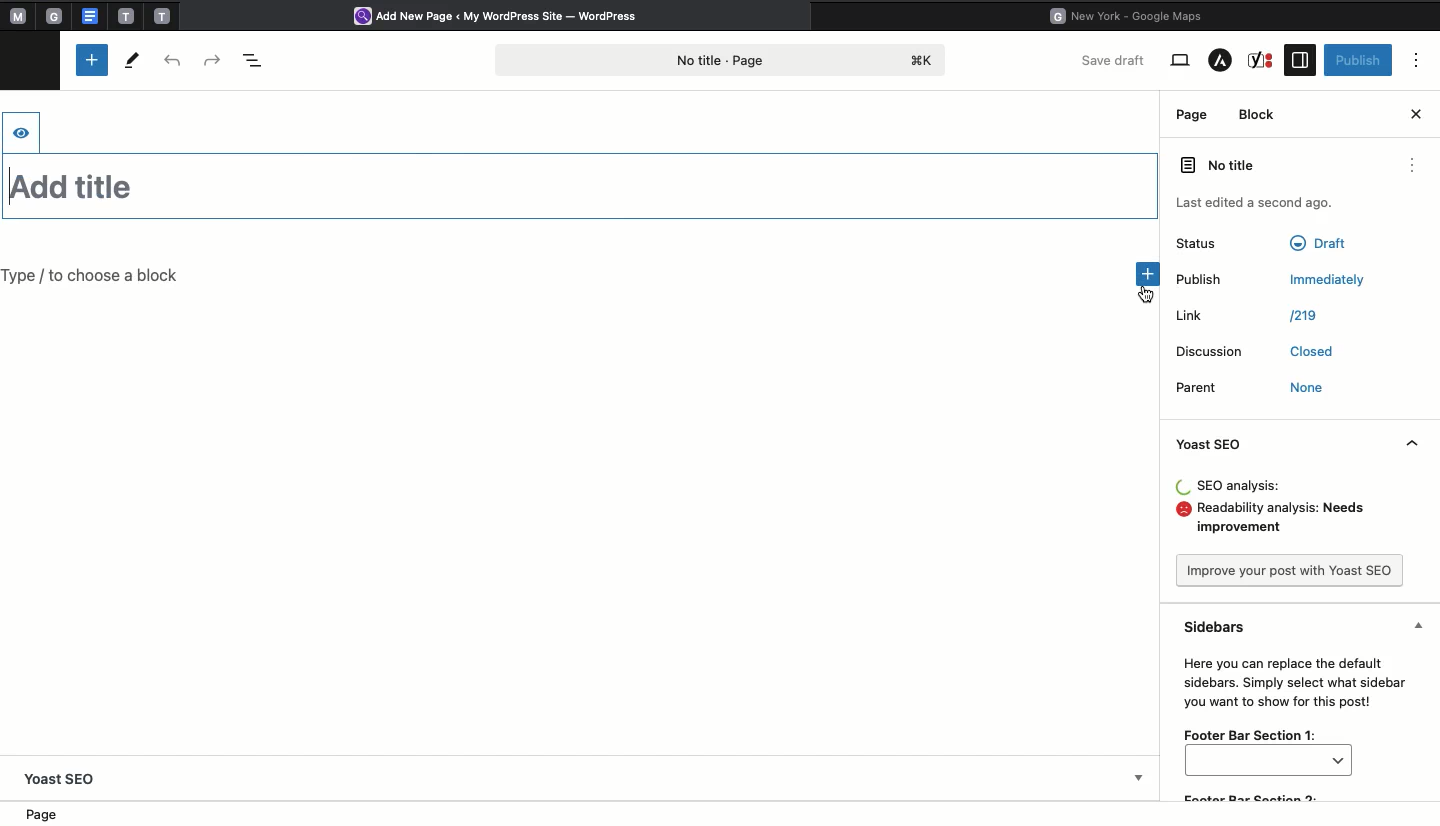  Describe the element at coordinates (1263, 118) in the screenshot. I see `Block` at that location.